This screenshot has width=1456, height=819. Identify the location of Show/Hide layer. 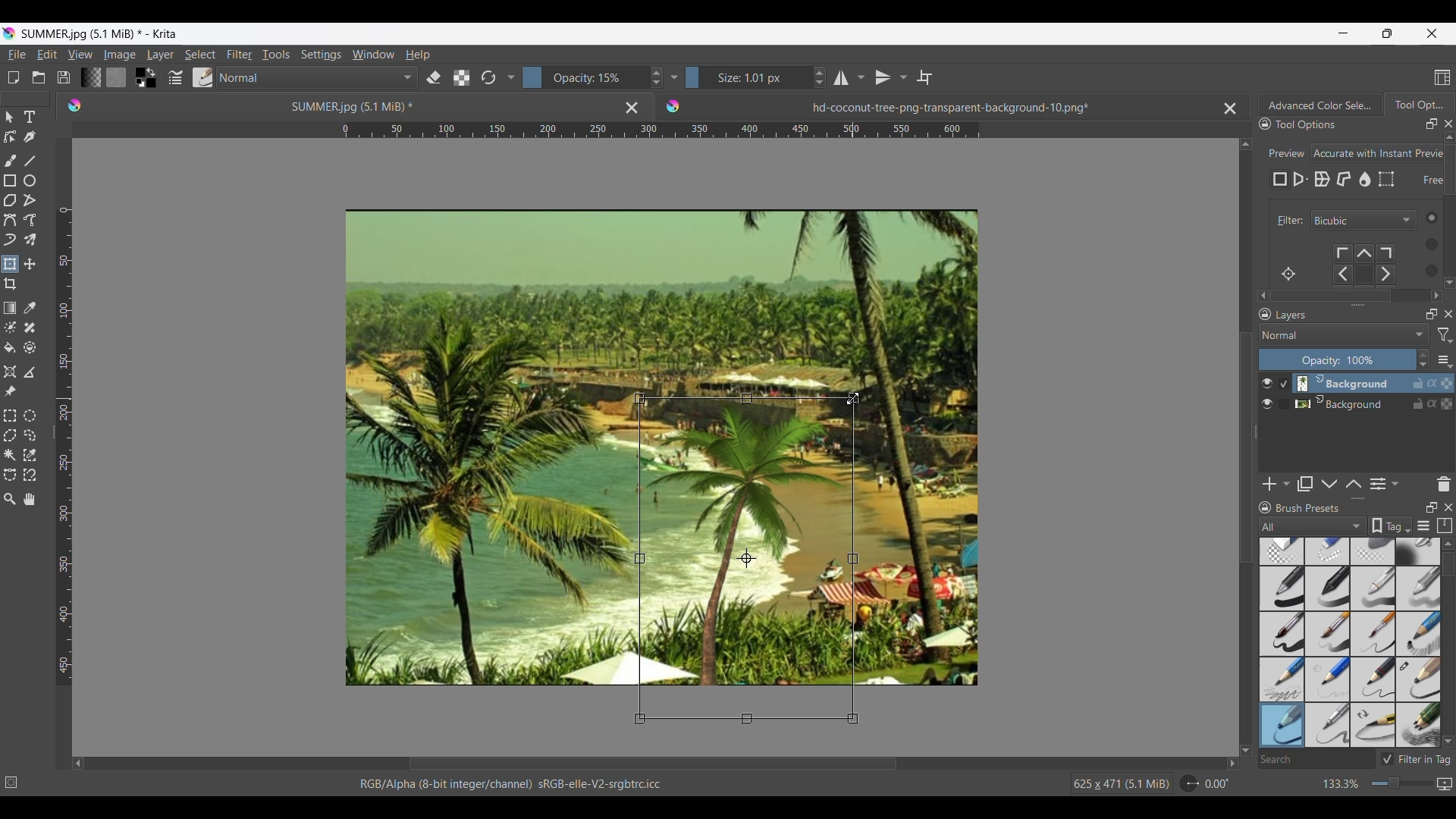
(1268, 404).